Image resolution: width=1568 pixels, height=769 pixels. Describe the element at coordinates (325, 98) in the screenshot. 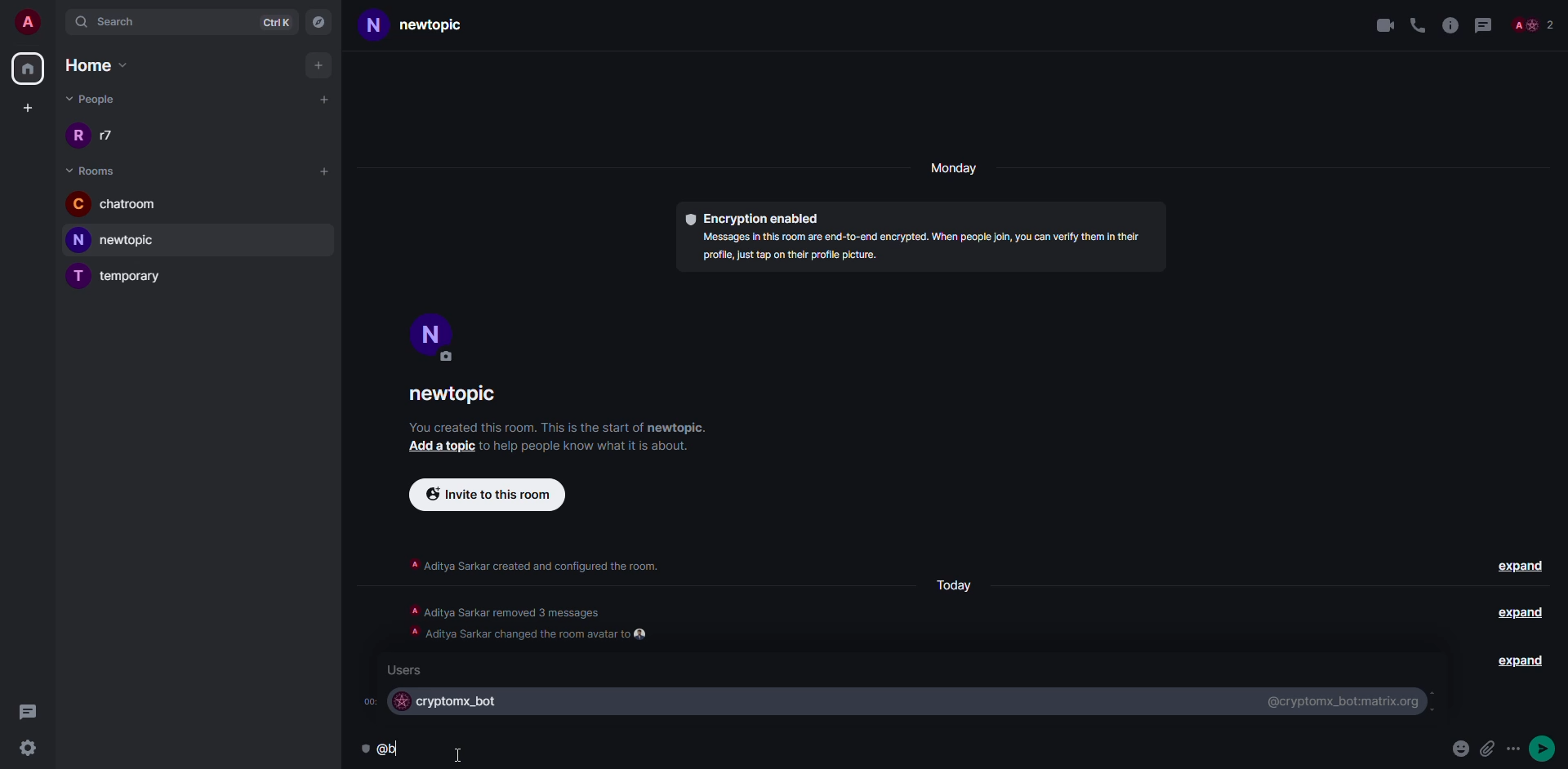

I see `add` at that location.